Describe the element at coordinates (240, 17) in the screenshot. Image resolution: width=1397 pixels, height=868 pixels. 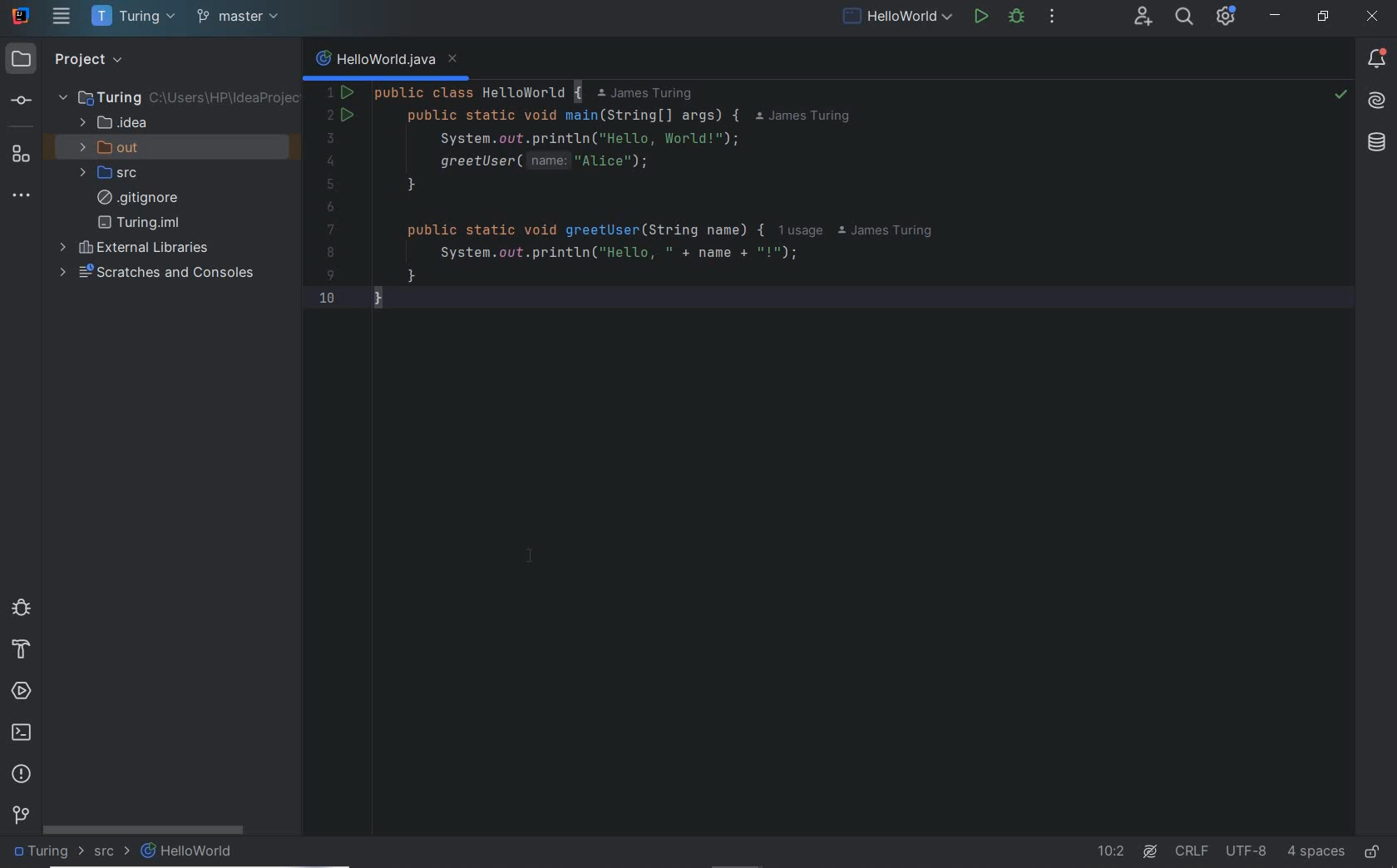
I see `git branch: master` at that location.